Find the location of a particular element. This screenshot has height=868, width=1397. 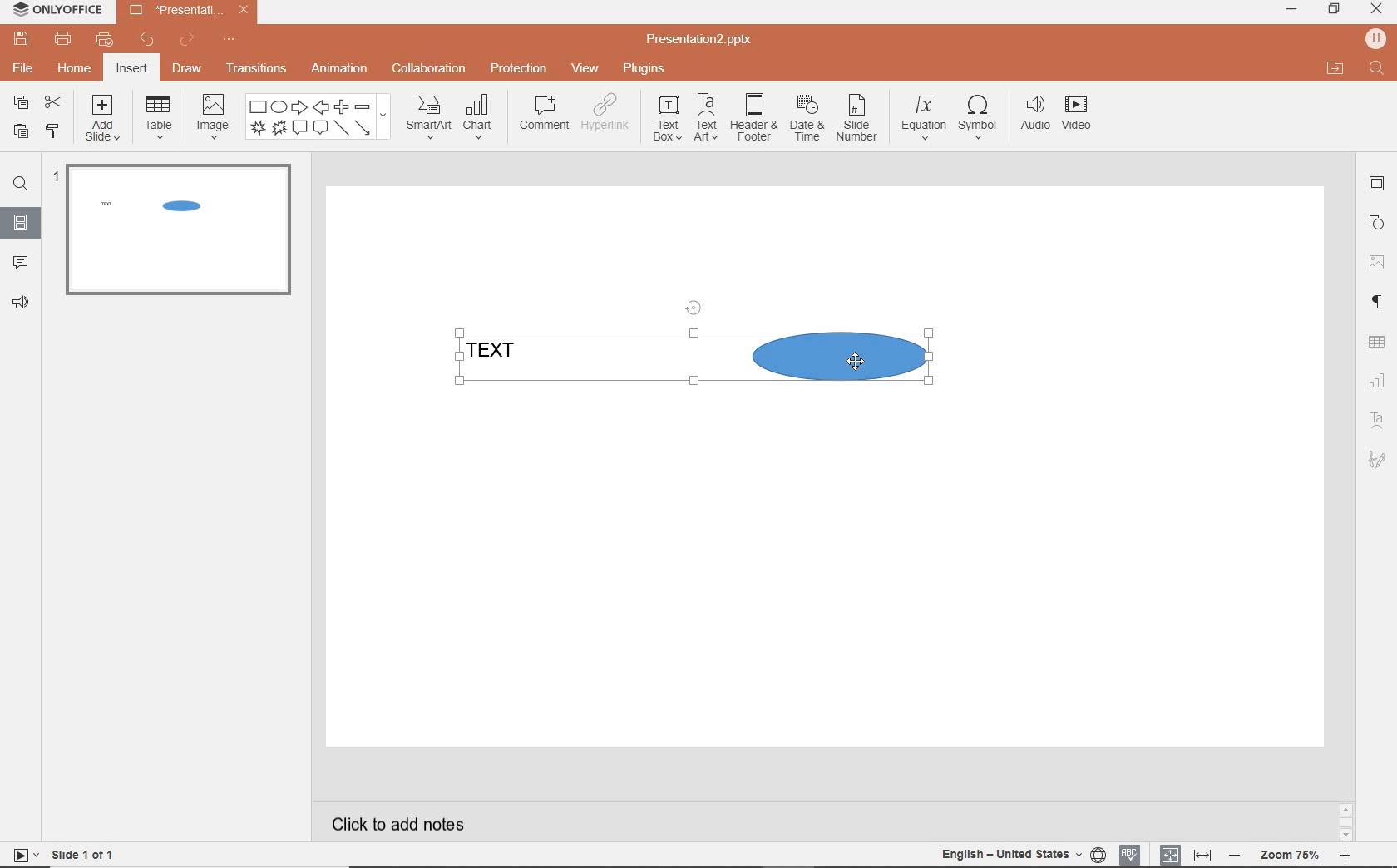

TEXT & SHAPE GROUPED is located at coordinates (710, 358).